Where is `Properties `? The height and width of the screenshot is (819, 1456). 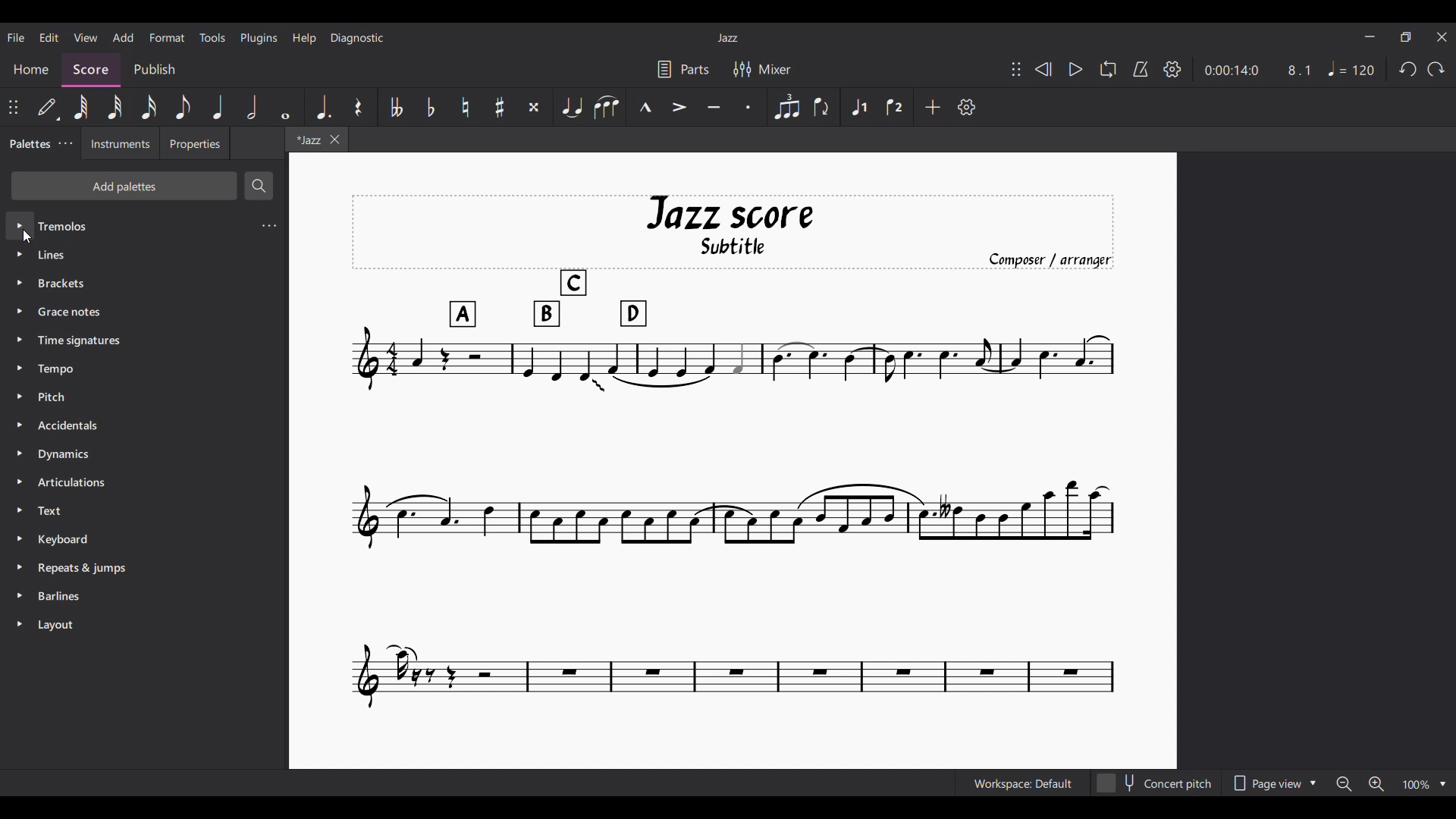 Properties  is located at coordinates (195, 143).